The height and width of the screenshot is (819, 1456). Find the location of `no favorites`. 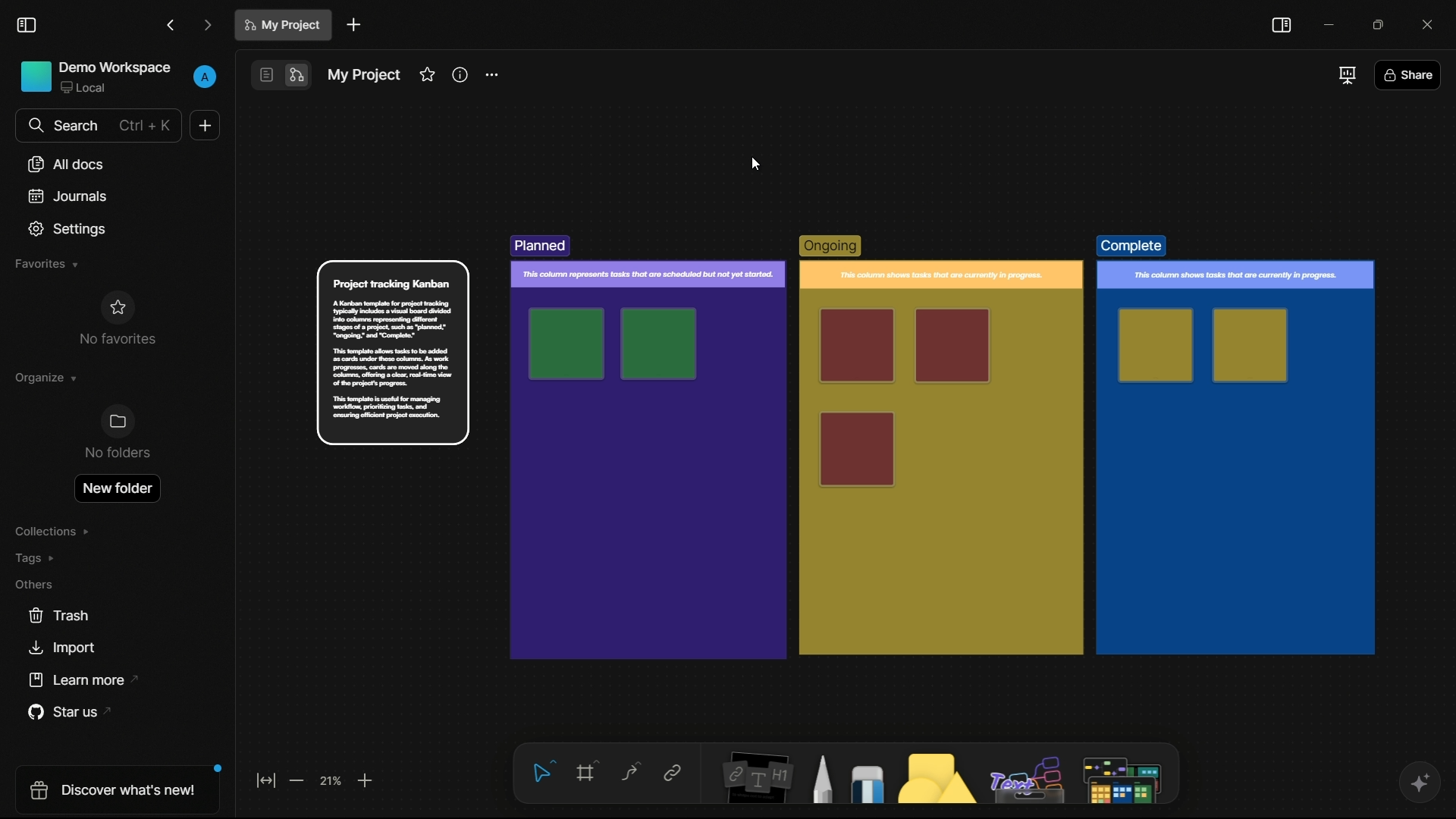

no favorites is located at coordinates (116, 318).